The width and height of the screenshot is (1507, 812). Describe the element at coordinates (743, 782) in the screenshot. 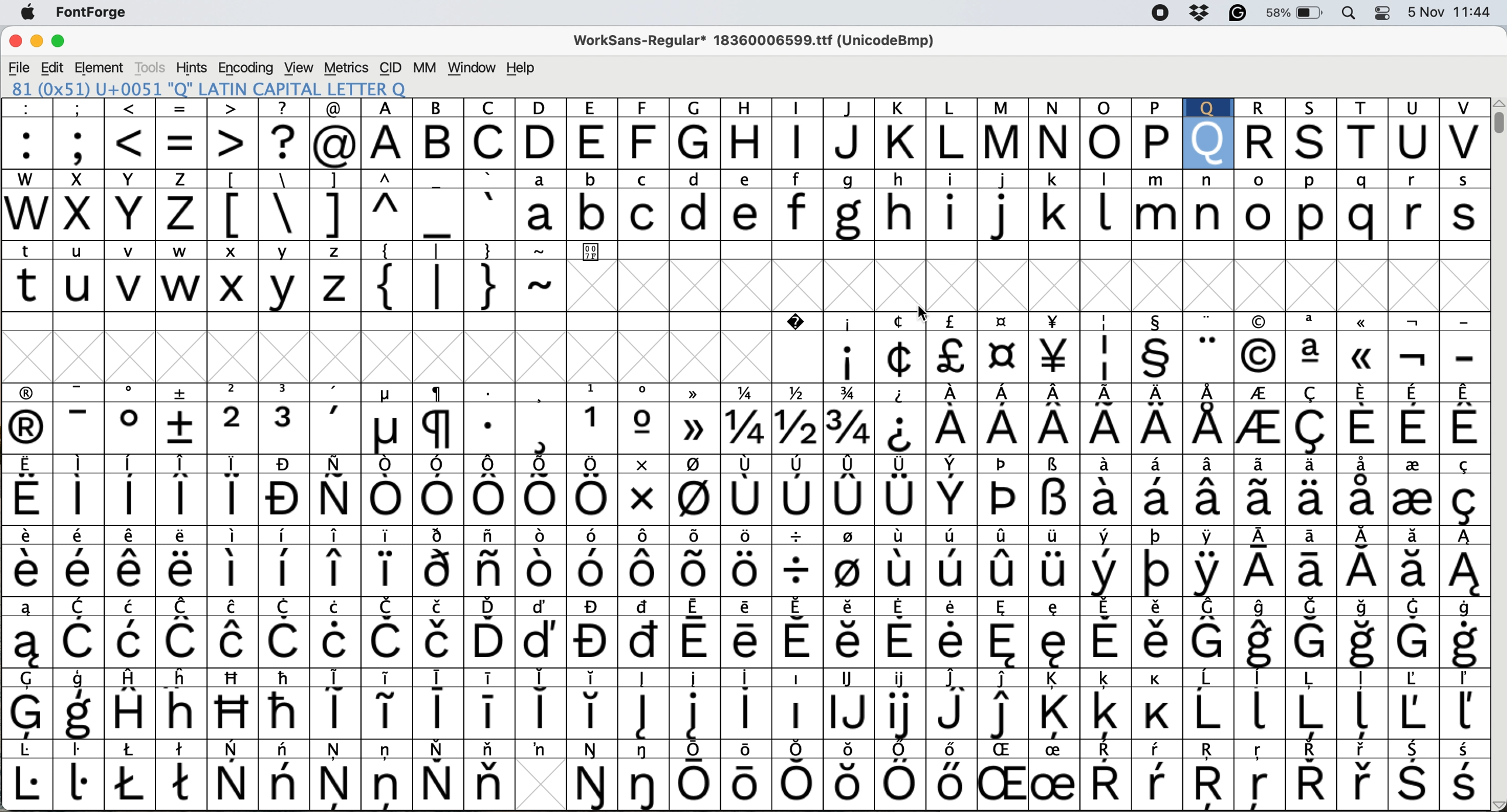

I see `special characters` at that location.